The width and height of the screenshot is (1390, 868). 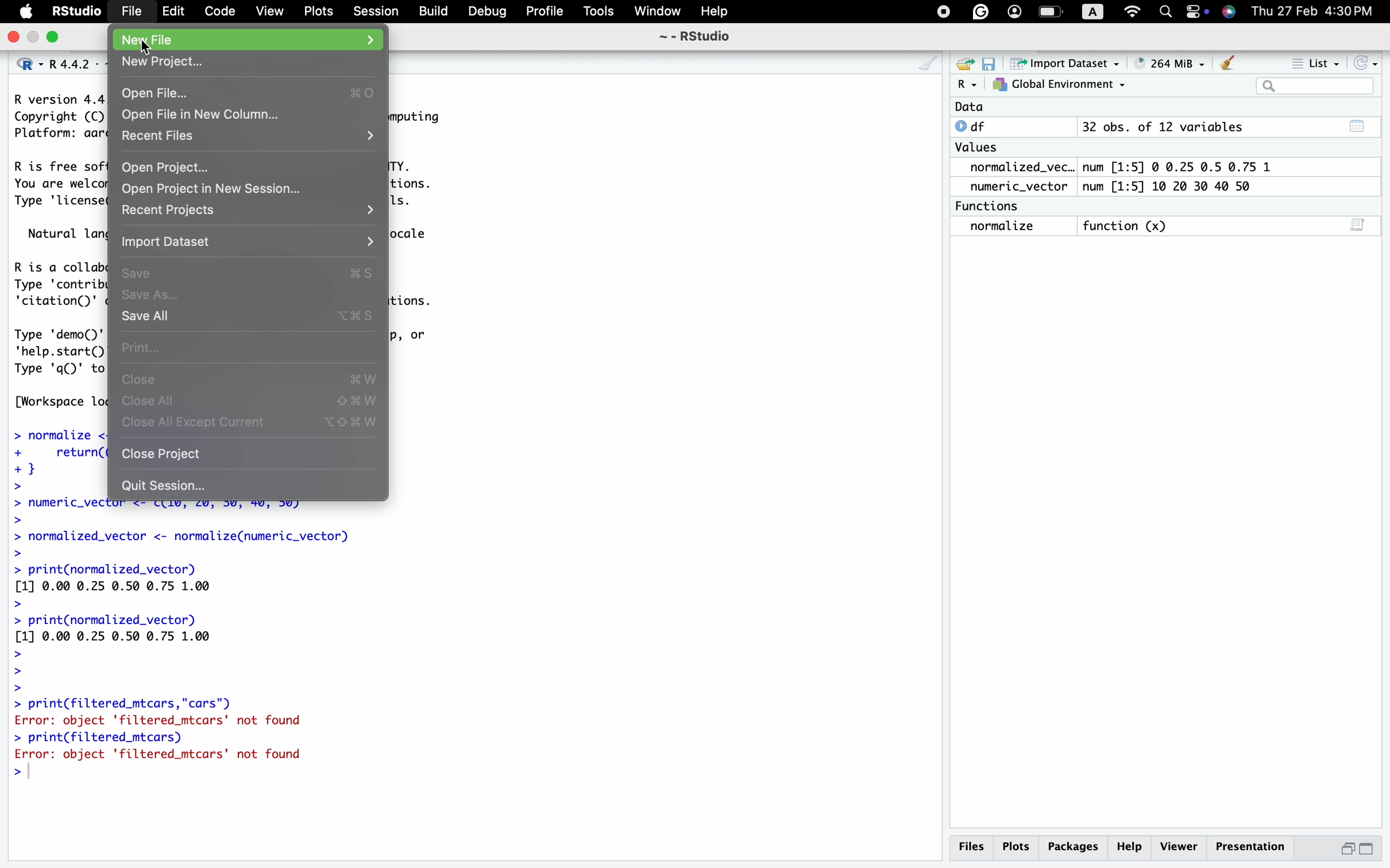 I want to click on [ > print(filtered_mtcars,"cars"), so click(x=123, y=704).